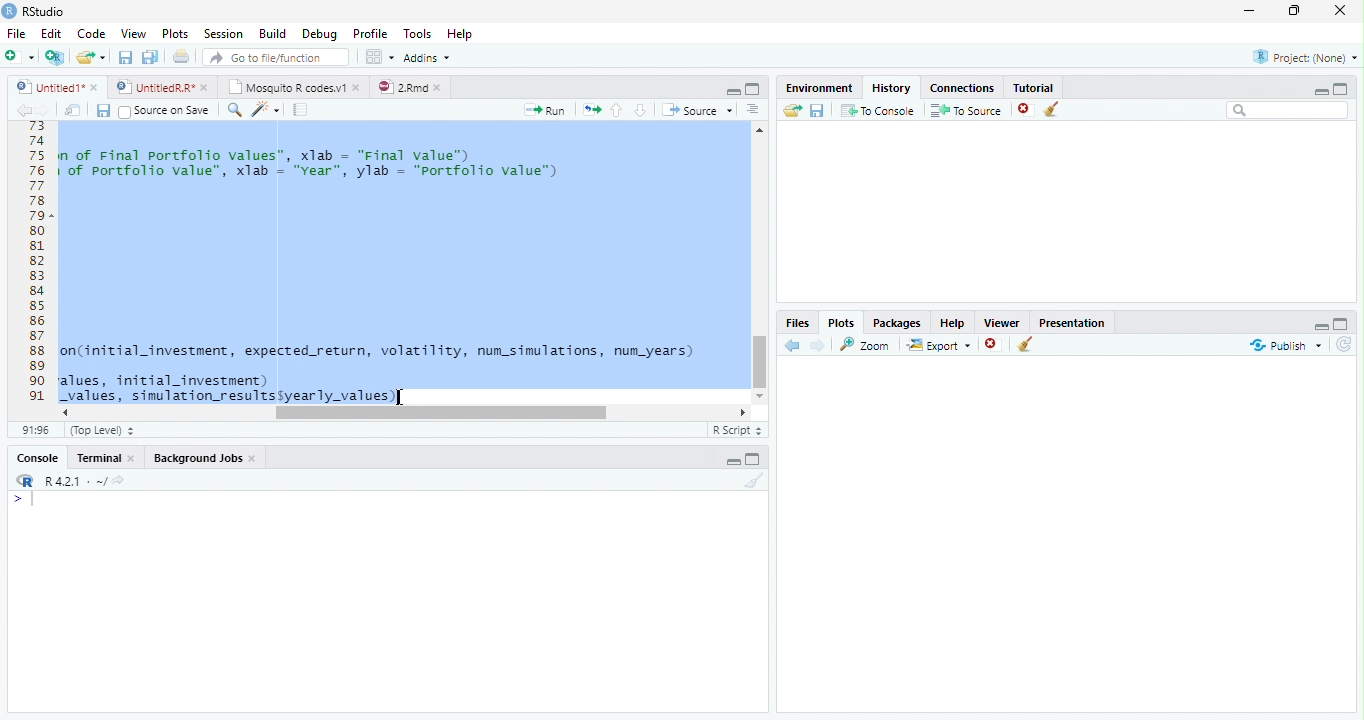 Image resolution: width=1364 pixels, height=720 pixels. What do you see at coordinates (379, 57) in the screenshot?
I see `Workspace Panes` at bounding box center [379, 57].